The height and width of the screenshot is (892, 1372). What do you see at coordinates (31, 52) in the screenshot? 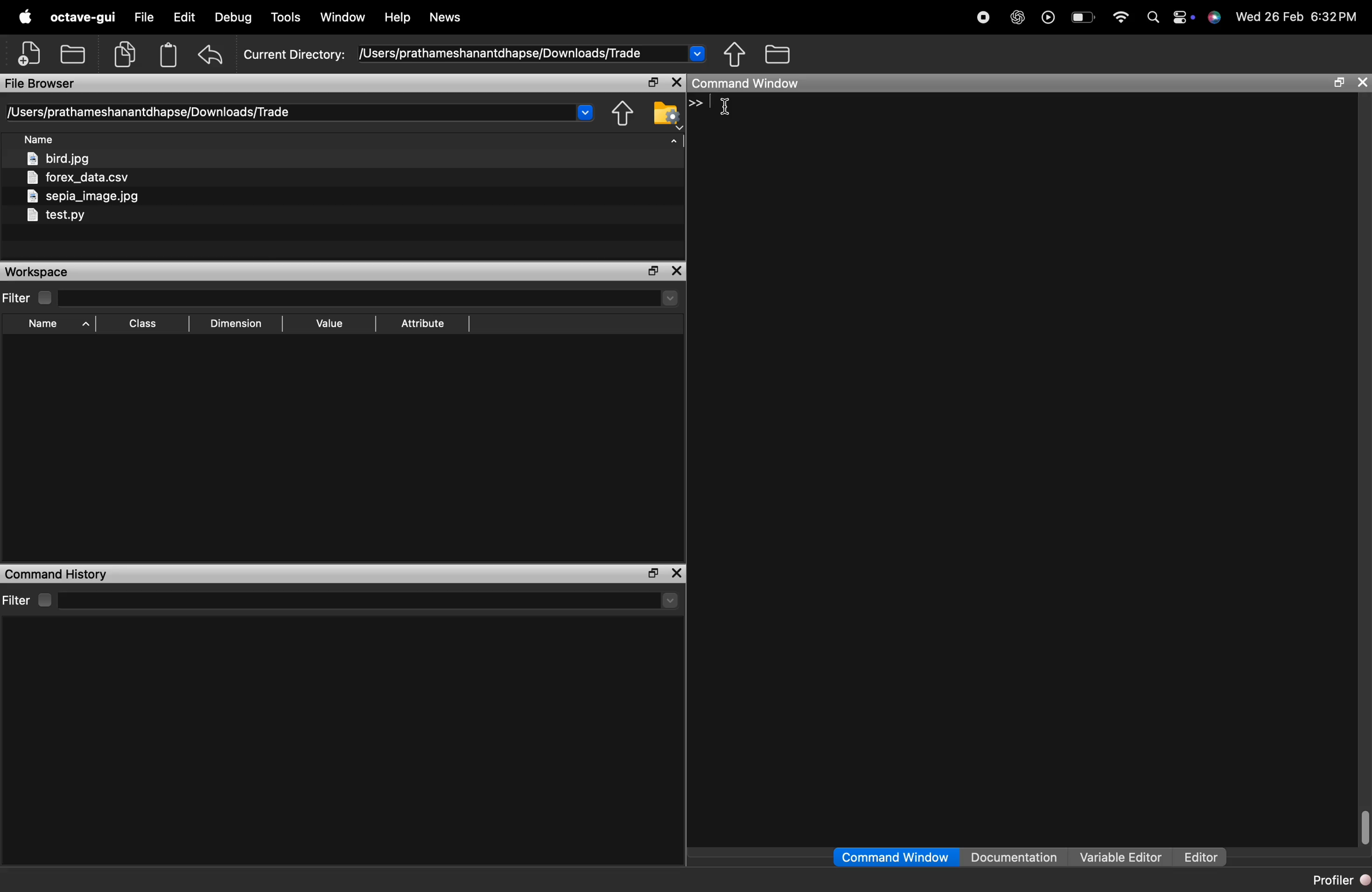
I see `new script` at bounding box center [31, 52].